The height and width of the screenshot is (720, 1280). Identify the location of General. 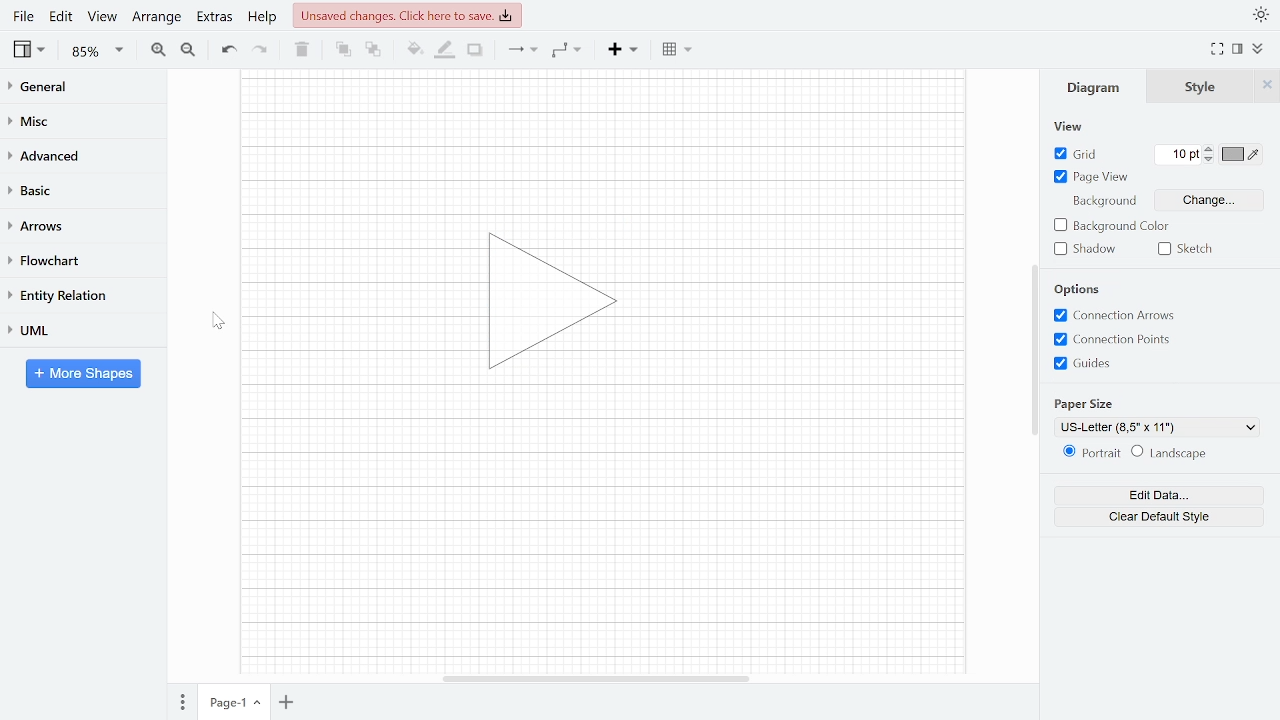
(76, 89).